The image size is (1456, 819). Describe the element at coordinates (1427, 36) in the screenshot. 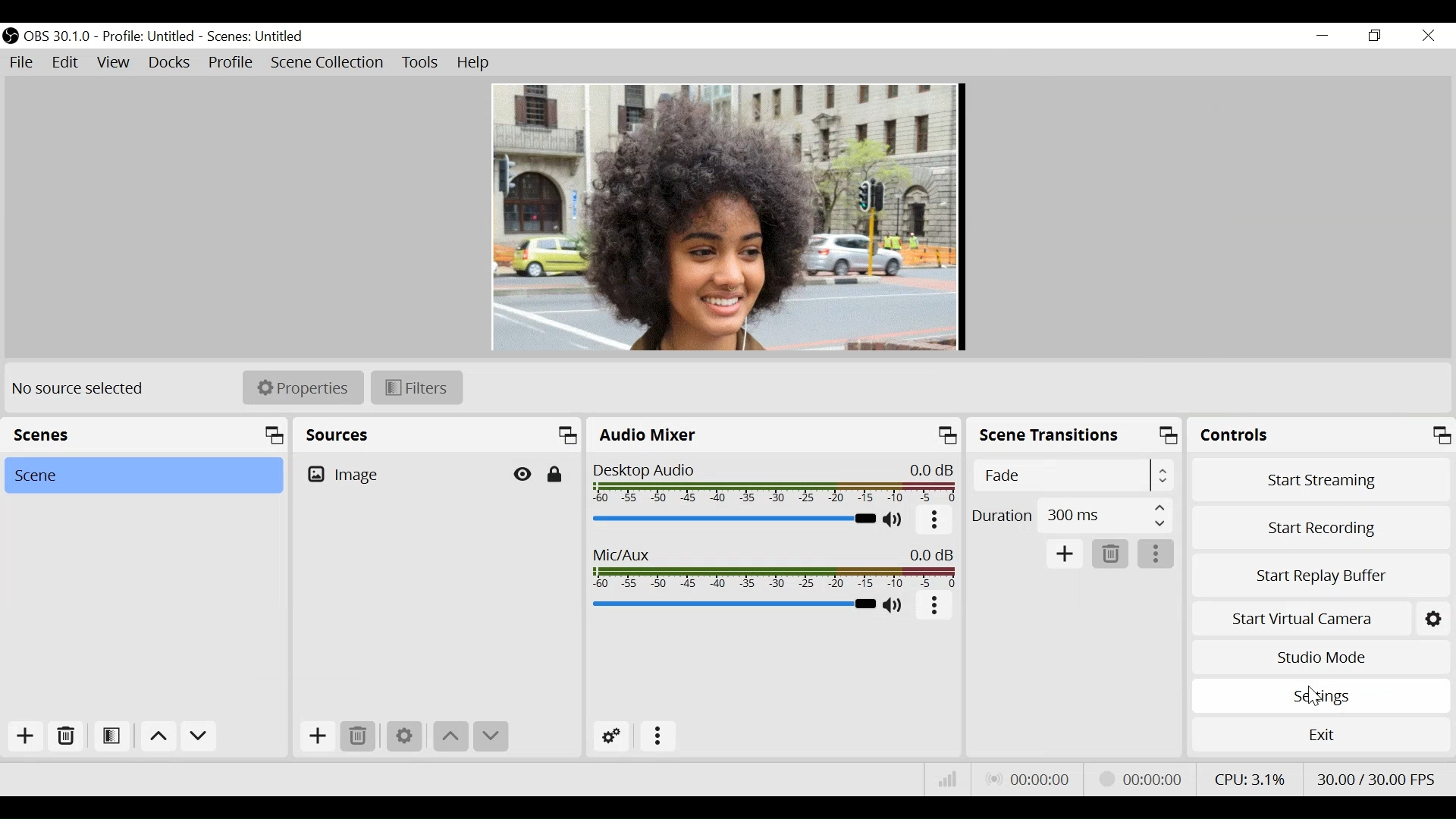

I see `Close` at that location.